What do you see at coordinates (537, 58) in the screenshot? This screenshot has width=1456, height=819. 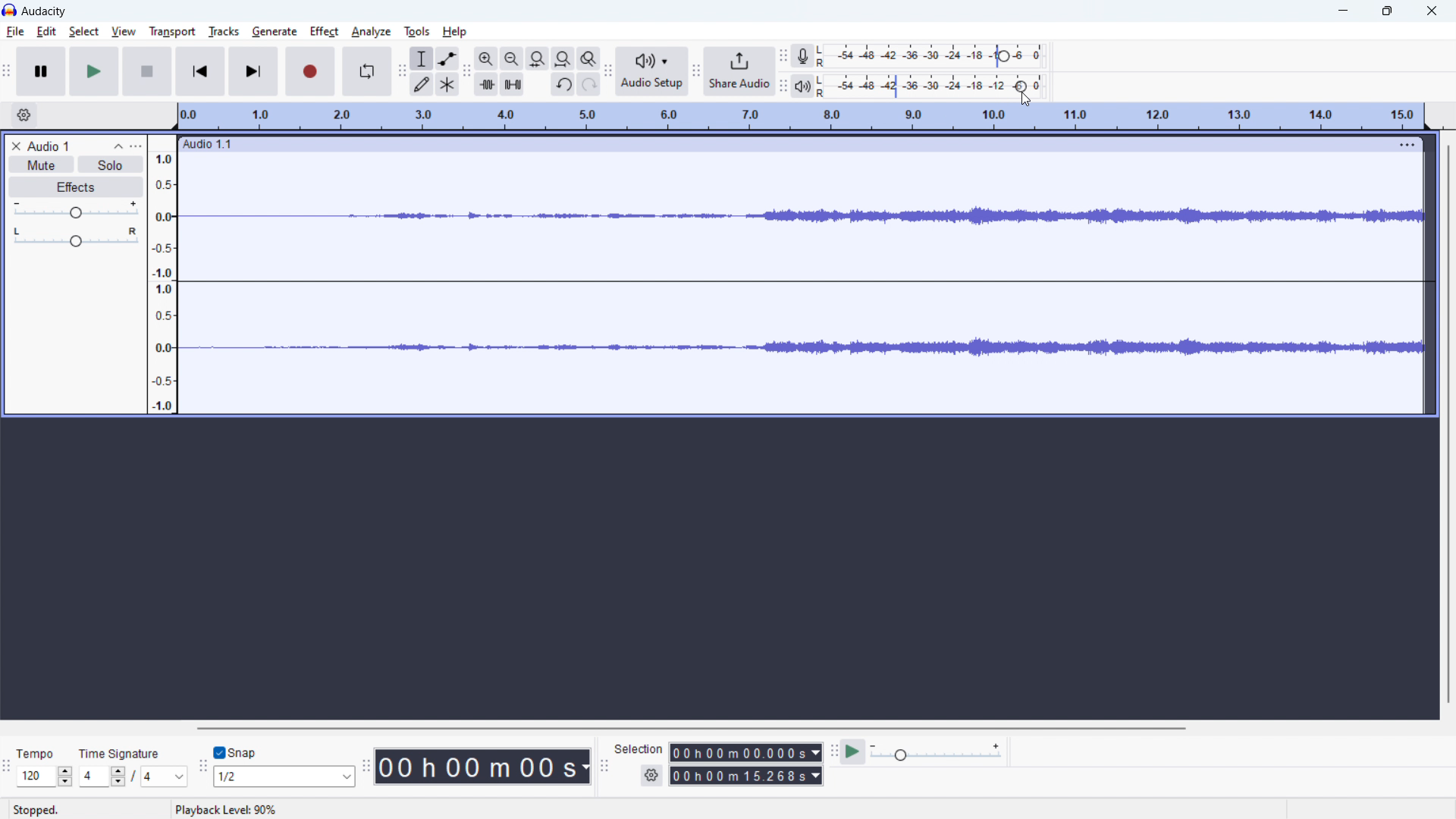 I see `fit selection to width` at bounding box center [537, 58].